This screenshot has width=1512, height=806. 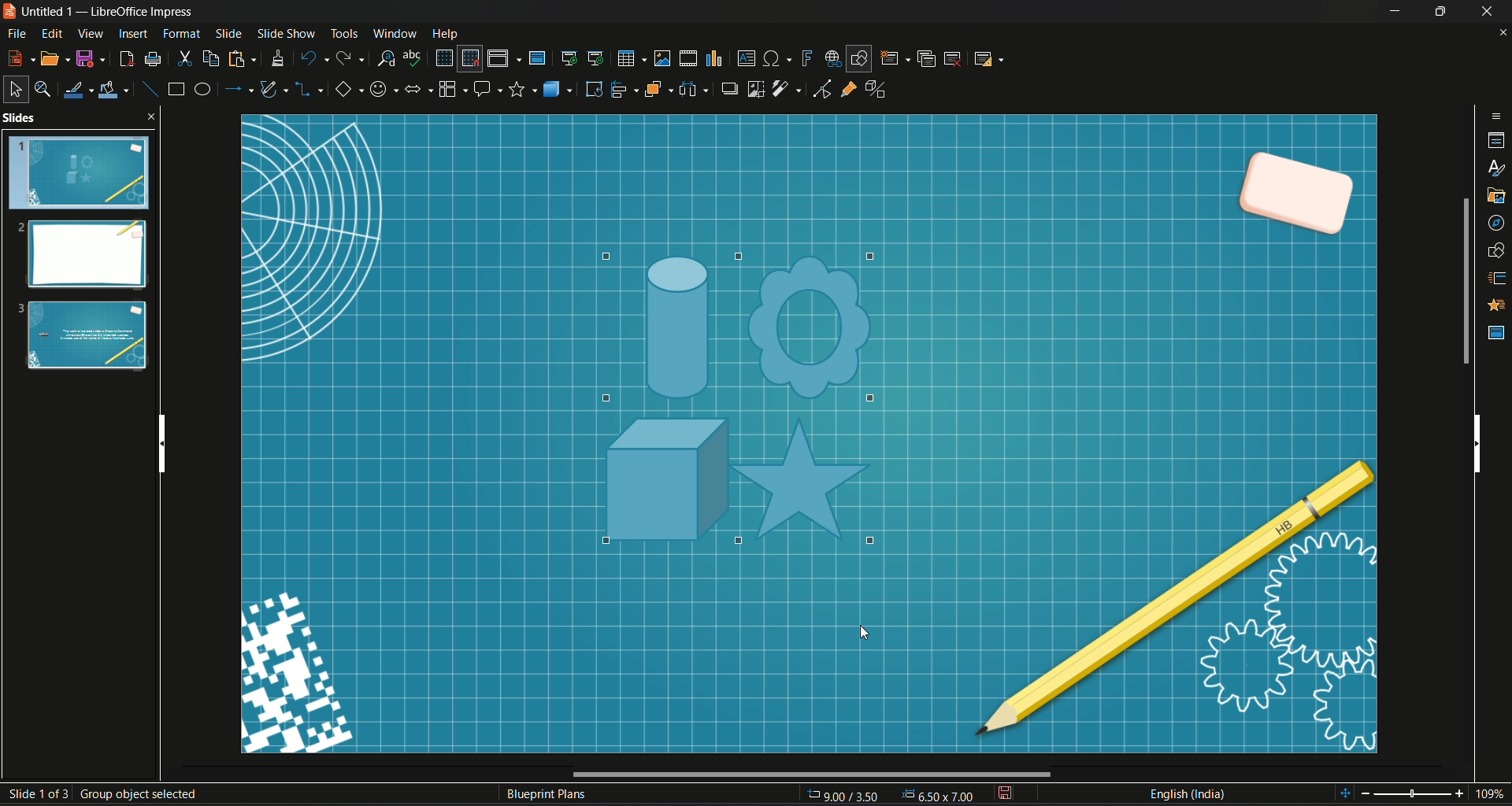 What do you see at coordinates (568, 57) in the screenshot?
I see `start from first slide` at bounding box center [568, 57].